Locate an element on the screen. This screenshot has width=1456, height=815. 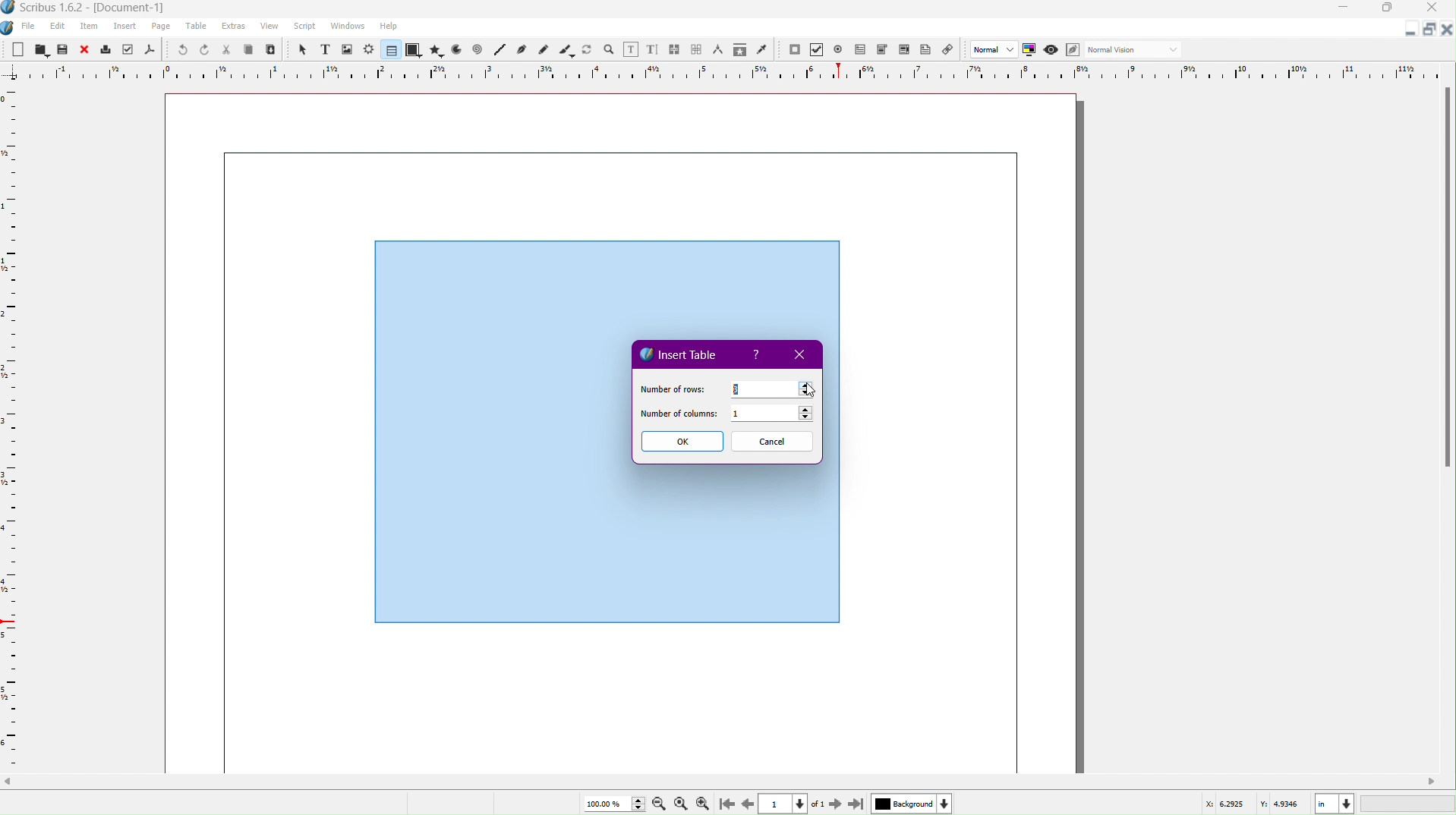
Edit is located at coordinates (57, 26).